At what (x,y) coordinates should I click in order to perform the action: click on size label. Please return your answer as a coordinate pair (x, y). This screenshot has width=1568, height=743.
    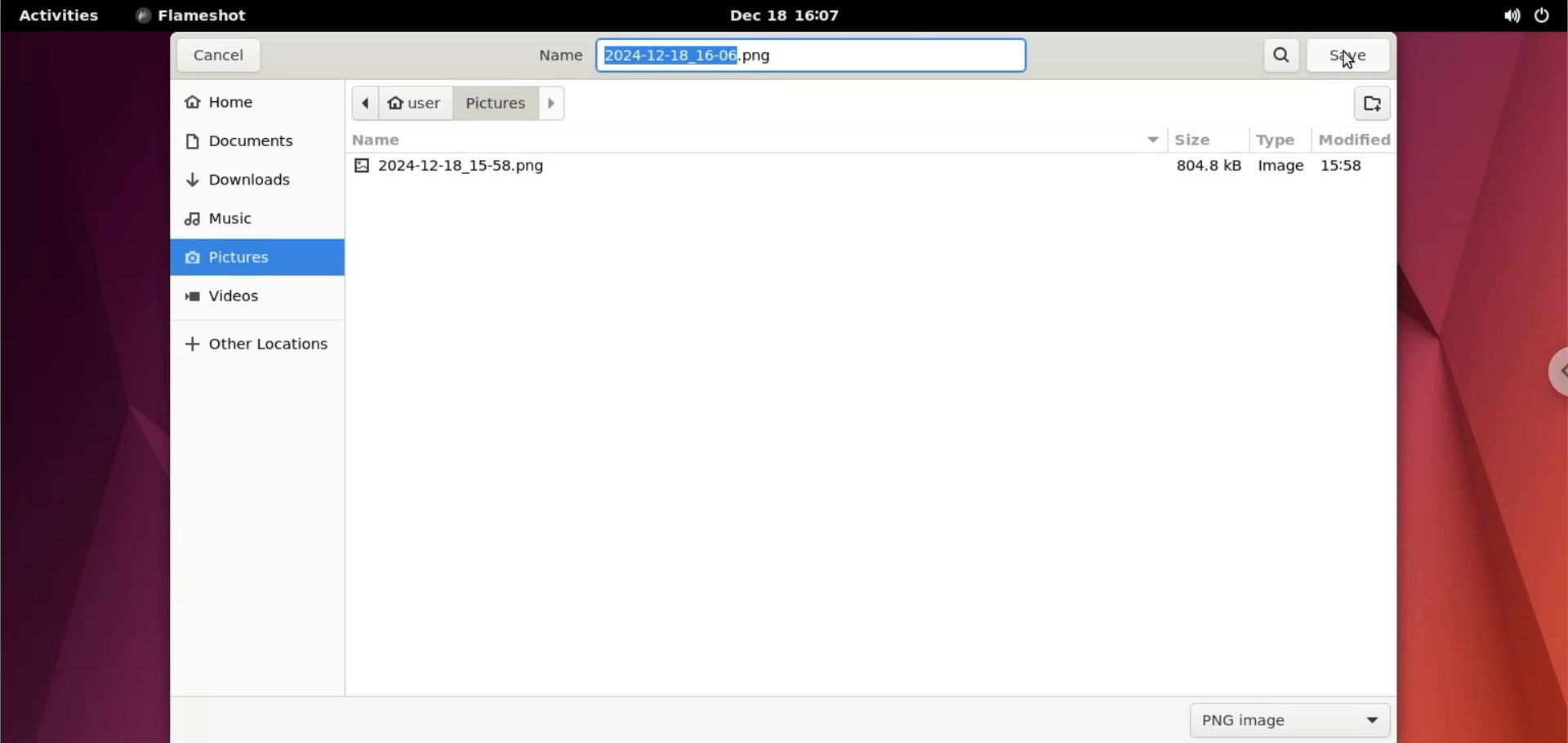
    Looking at the image, I should click on (1196, 140).